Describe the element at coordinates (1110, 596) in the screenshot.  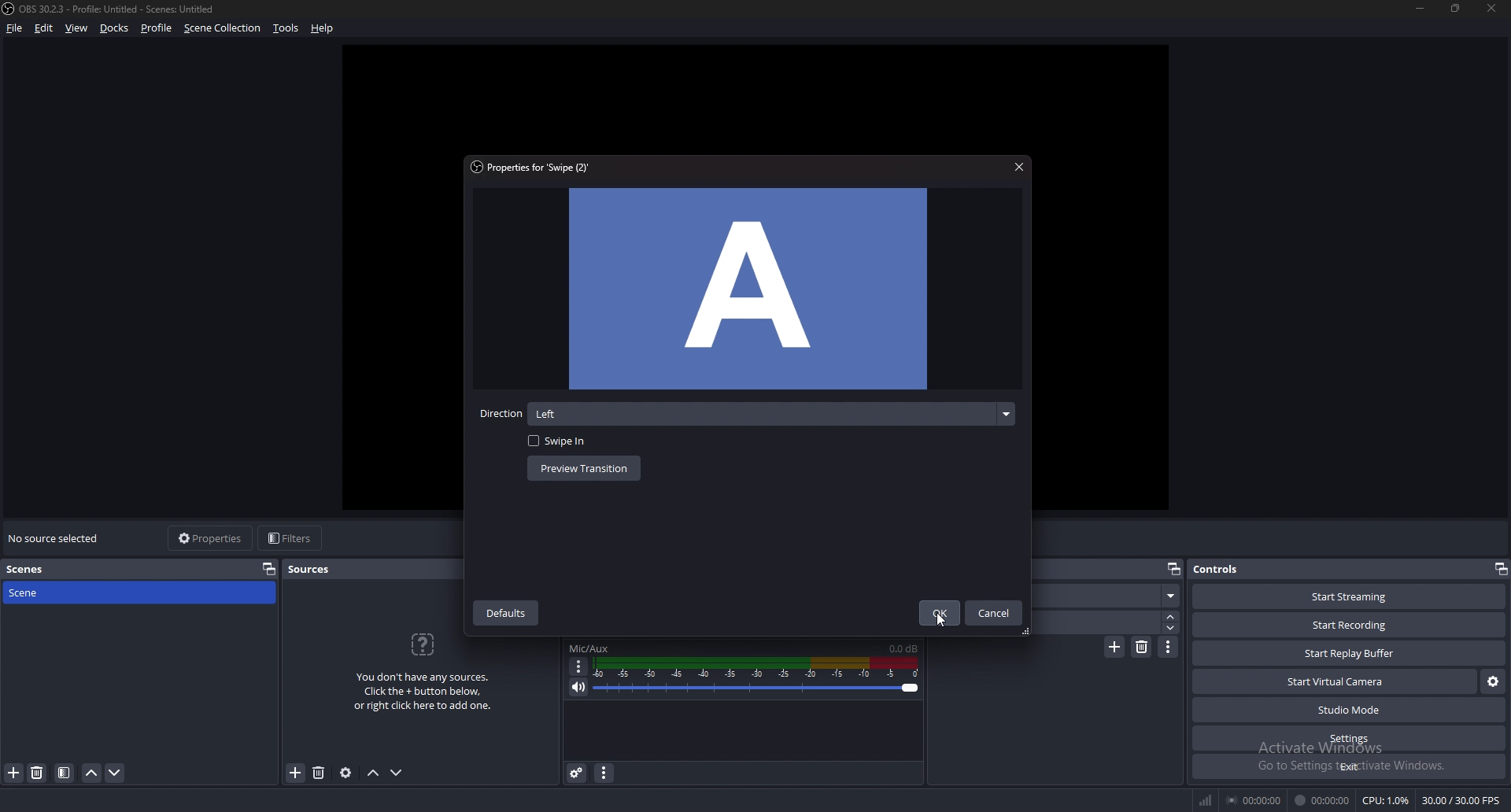
I see `transition` at that location.